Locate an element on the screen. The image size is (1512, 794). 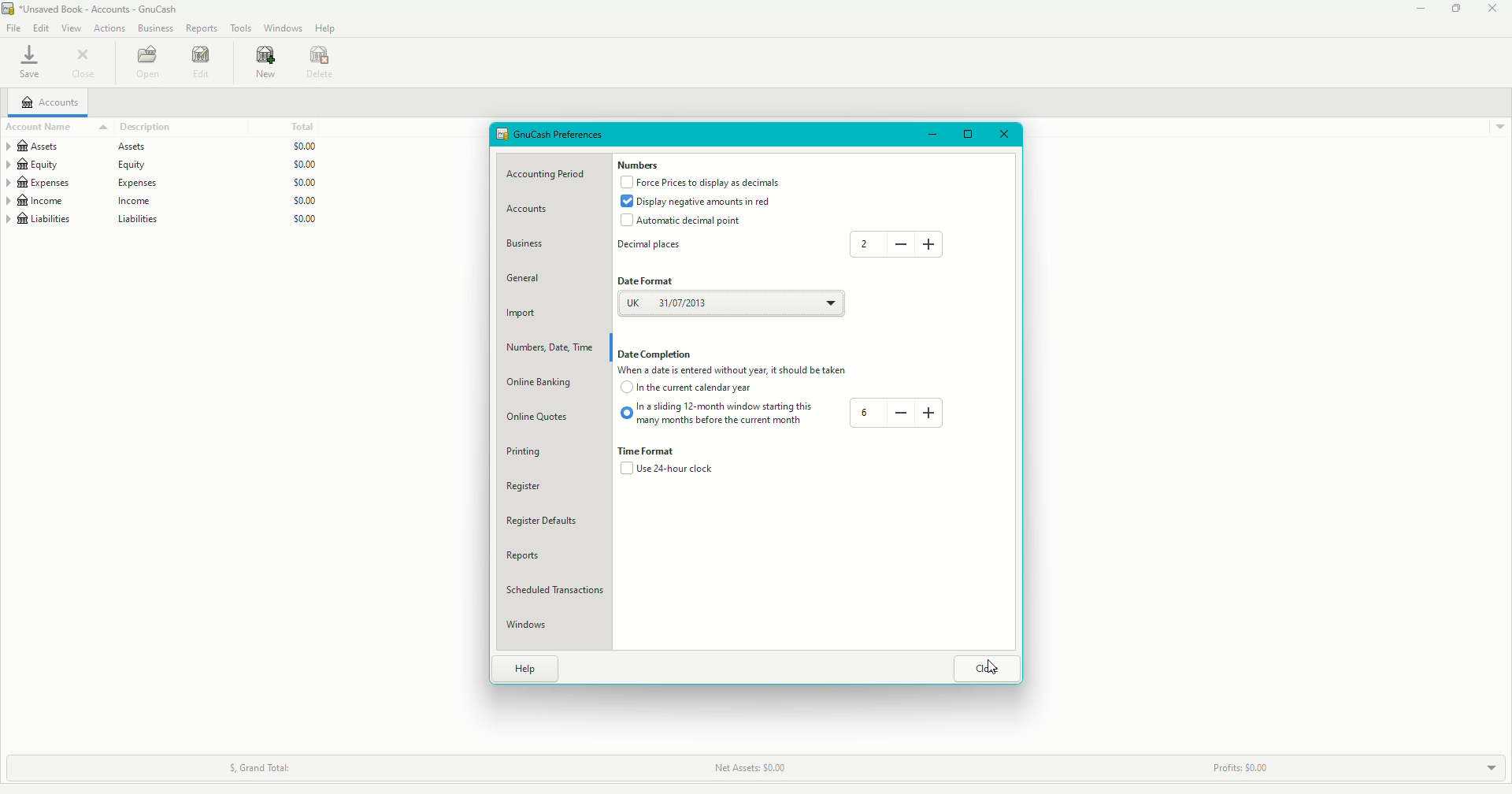
Plus is located at coordinates (934, 243).